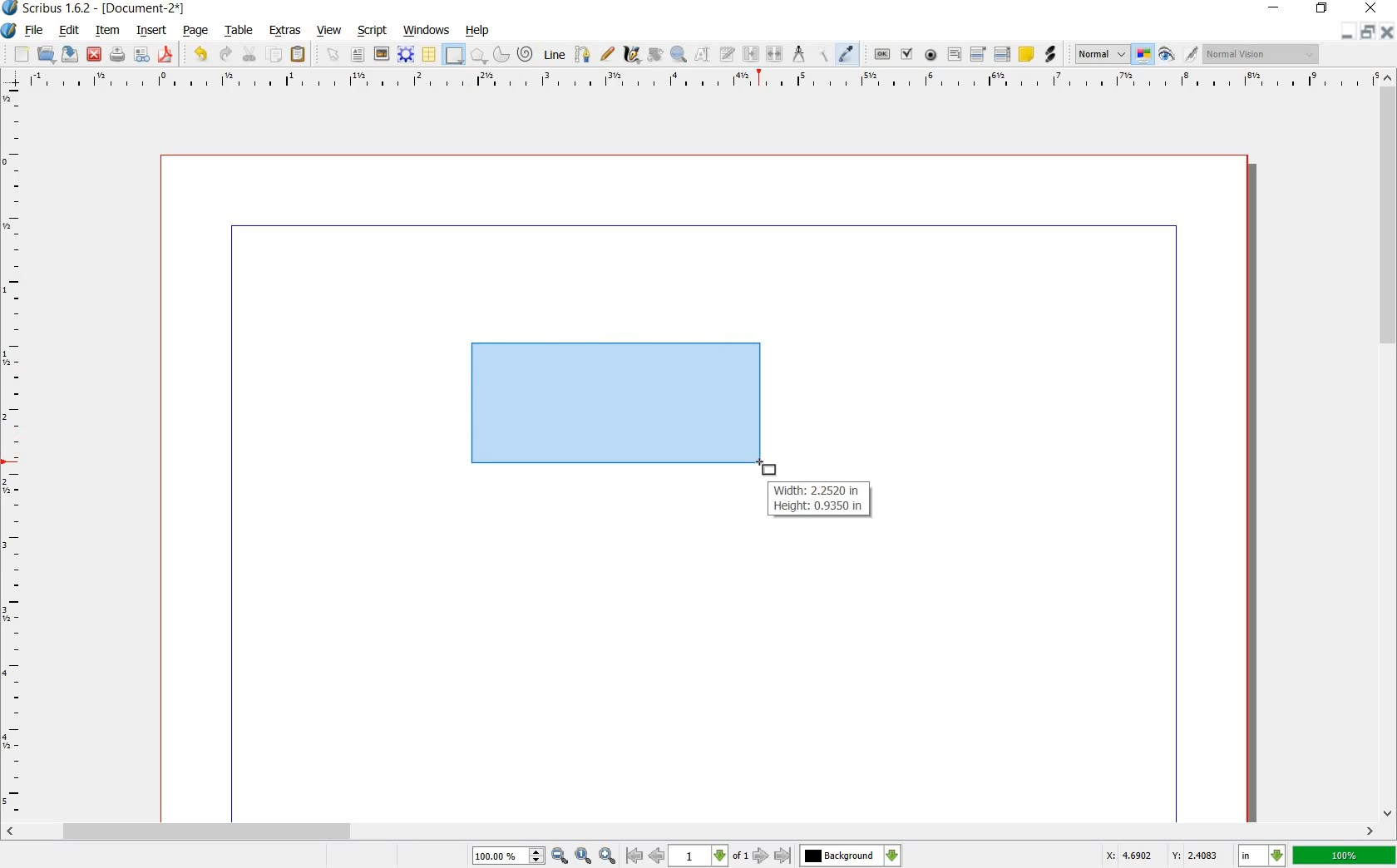  I want to click on select current unit, so click(1260, 856).